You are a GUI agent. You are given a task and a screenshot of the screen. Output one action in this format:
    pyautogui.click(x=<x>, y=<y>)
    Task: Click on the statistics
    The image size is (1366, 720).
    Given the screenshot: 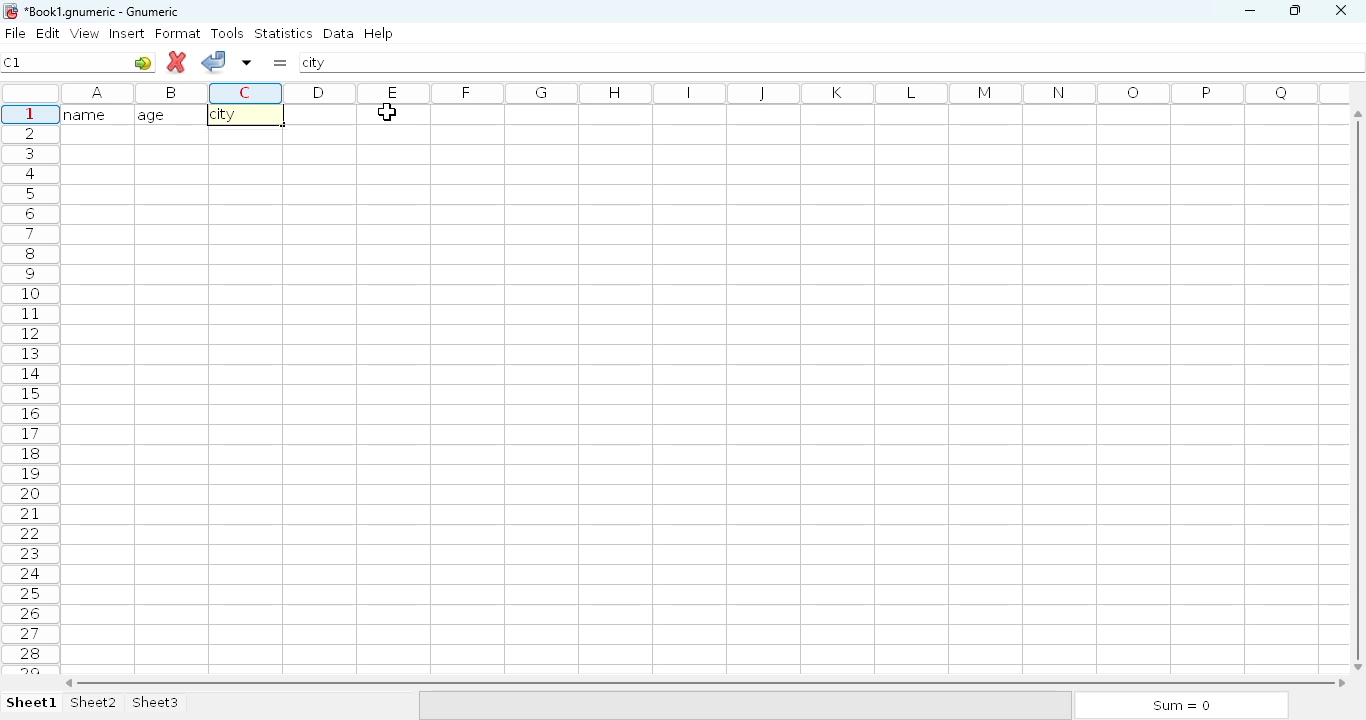 What is the action you would take?
    pyautogui.click(x=283, y=32)
    